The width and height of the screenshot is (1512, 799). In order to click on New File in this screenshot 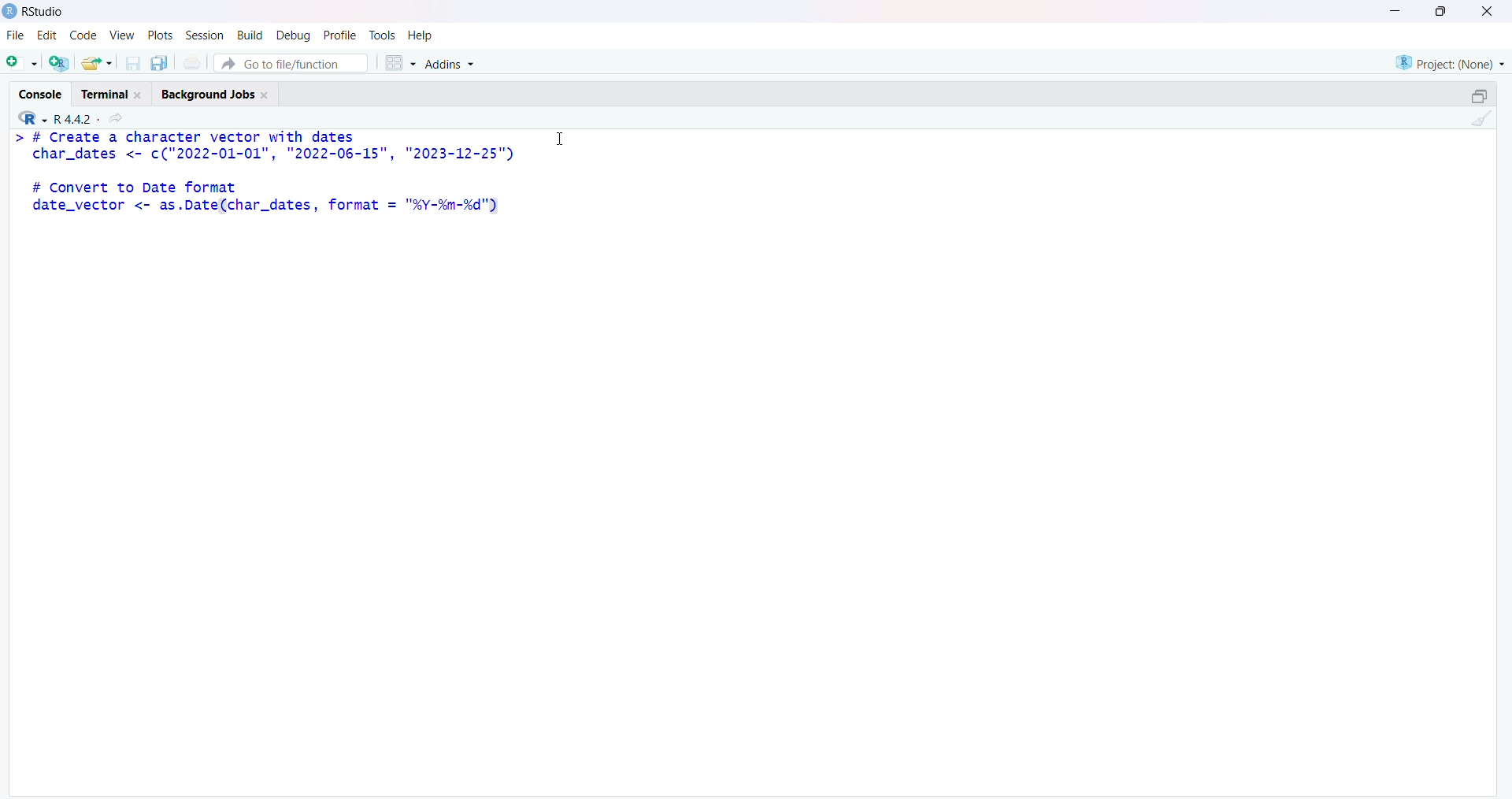, I will do `click(22, 61)`.